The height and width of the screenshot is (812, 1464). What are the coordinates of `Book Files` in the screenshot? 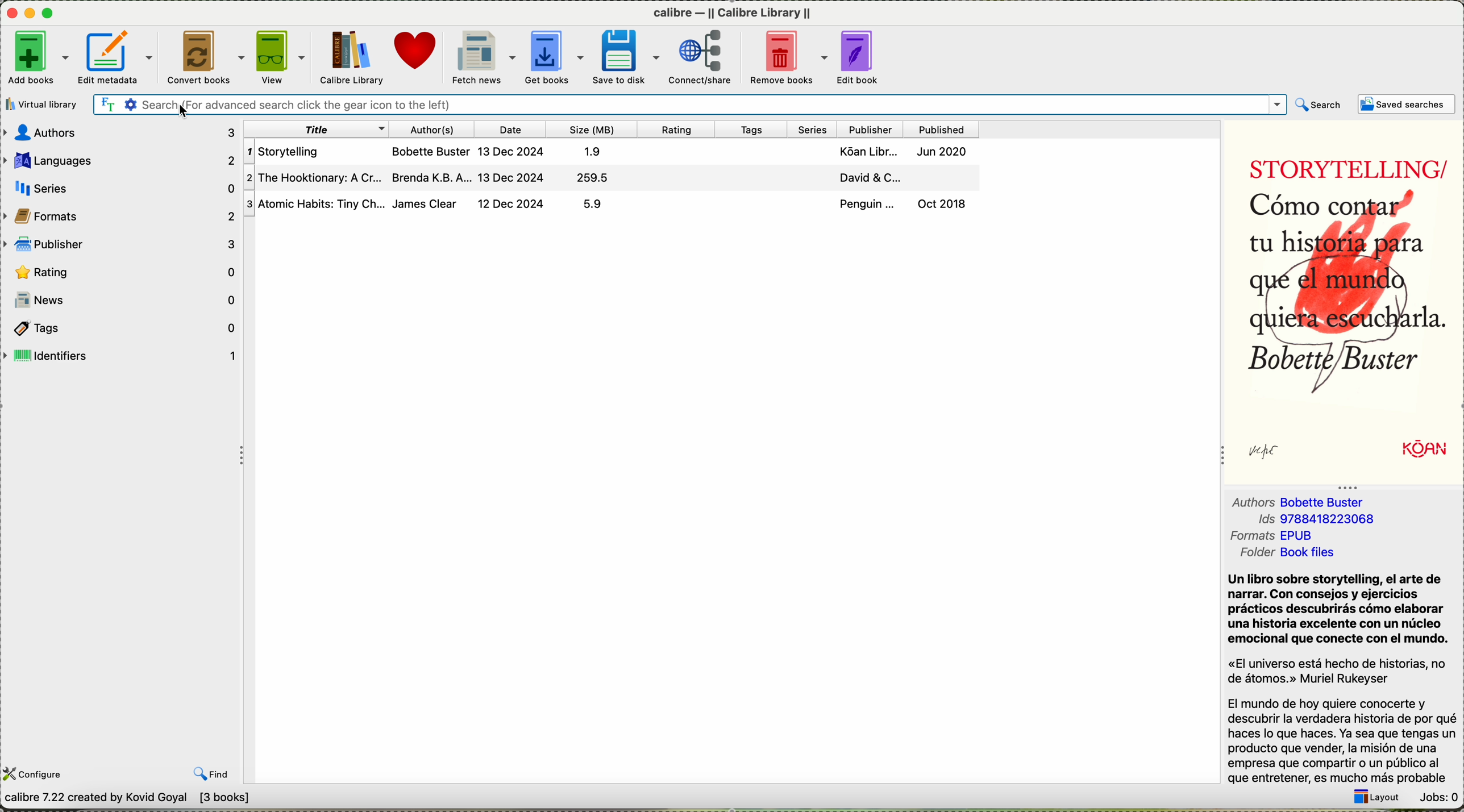 It's located at (1309, 554).